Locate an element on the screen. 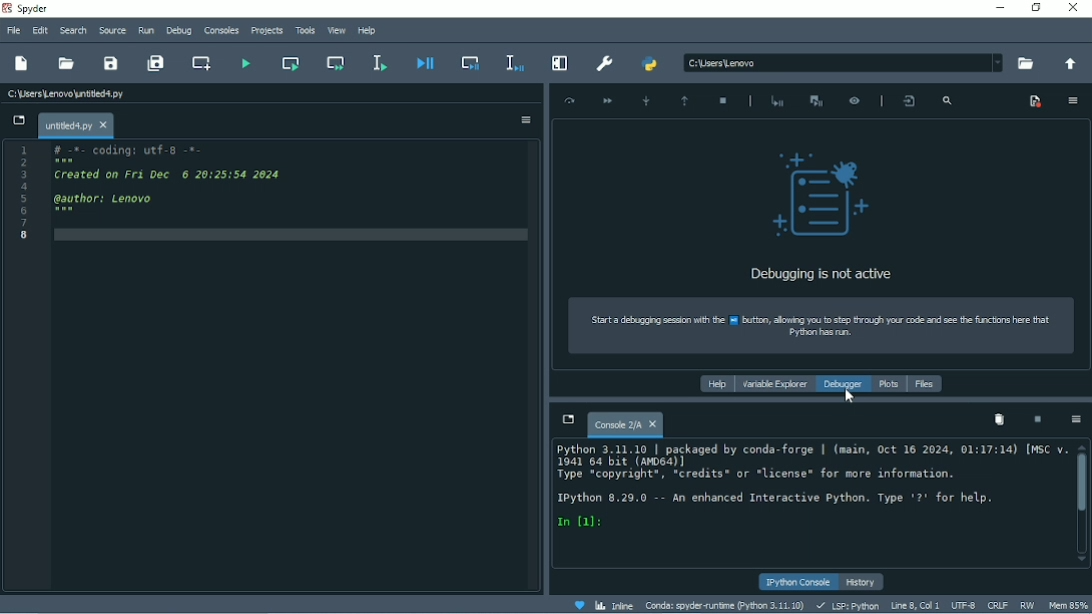 The image size is (1092, 614). History is located at coordinates (862, 582).